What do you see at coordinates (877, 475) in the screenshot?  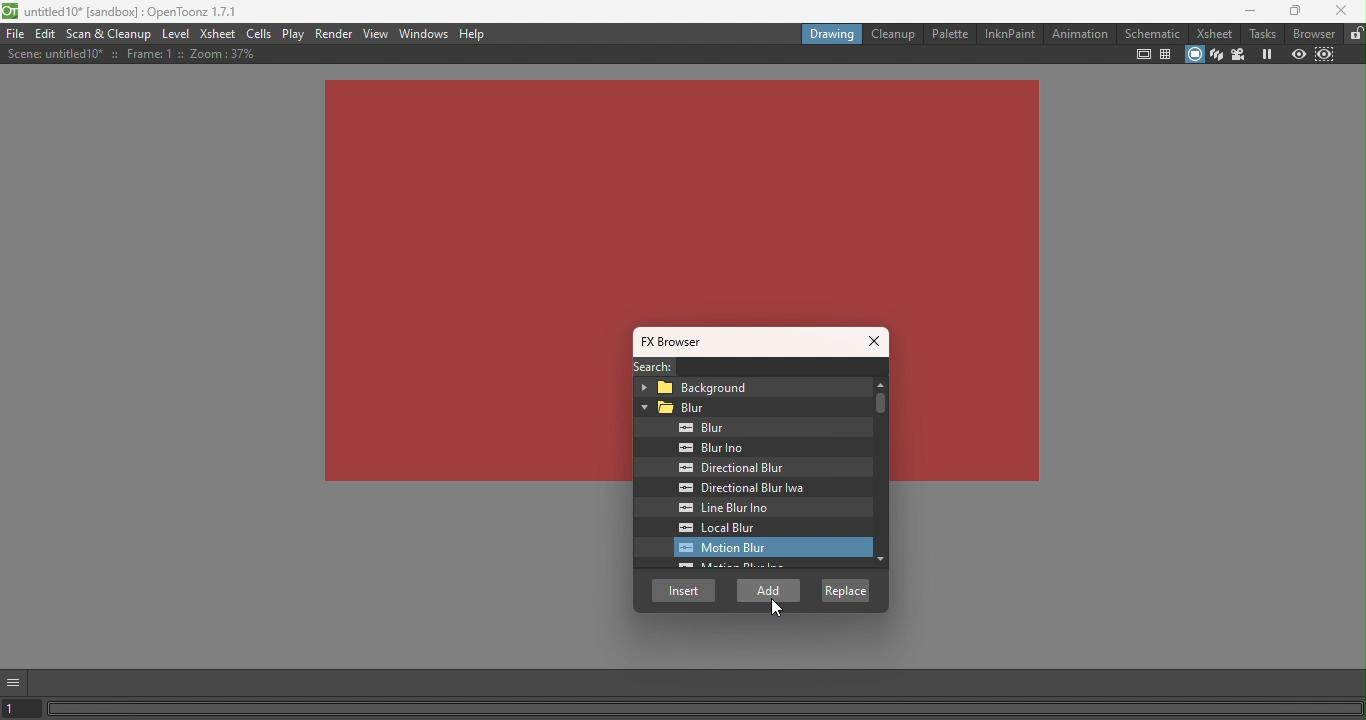 I see `Vertical scroll bar` at bounding box center [877, 475].